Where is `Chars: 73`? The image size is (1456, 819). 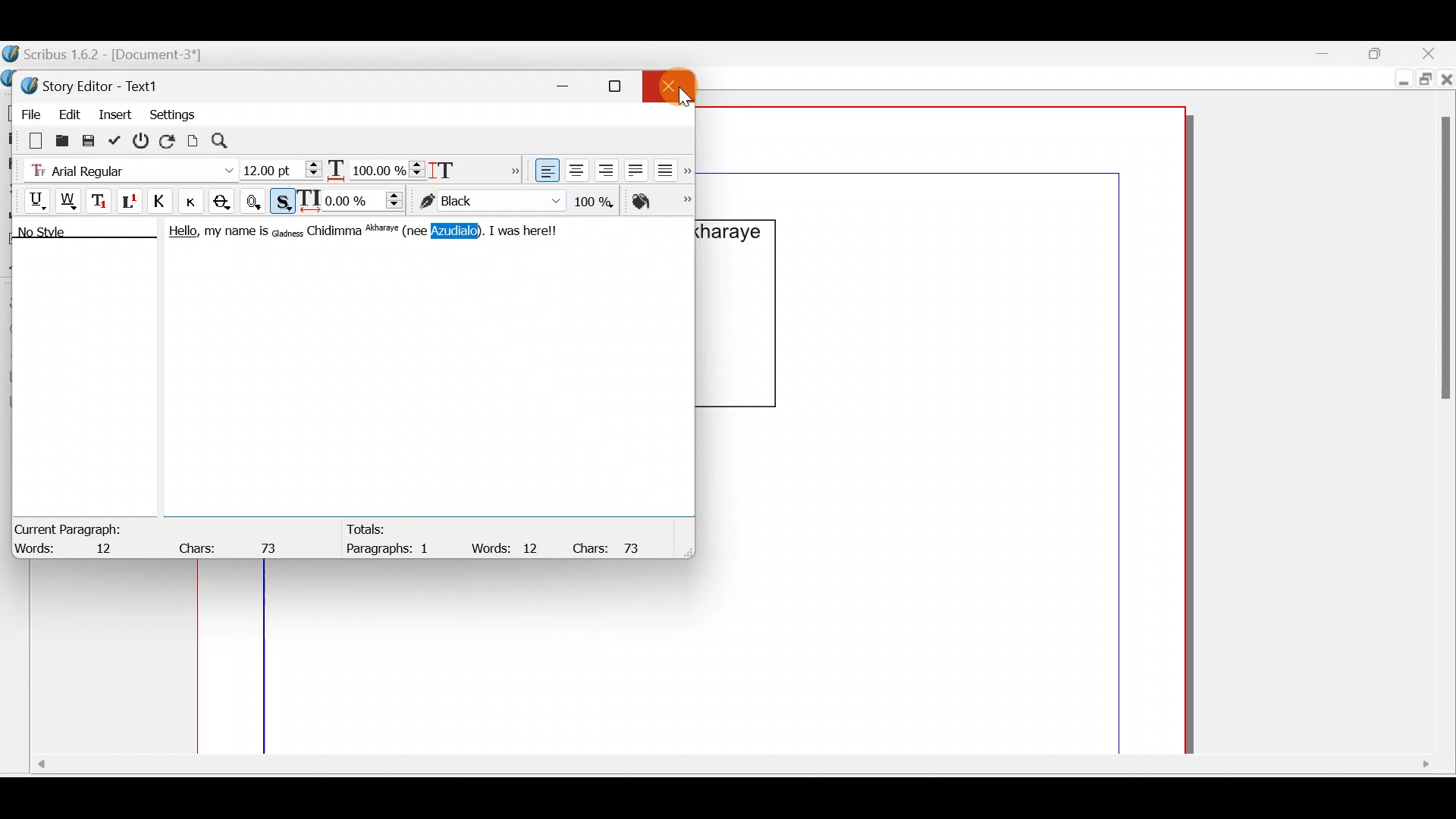
Chars: 73 is located at coordinates (613, 547).